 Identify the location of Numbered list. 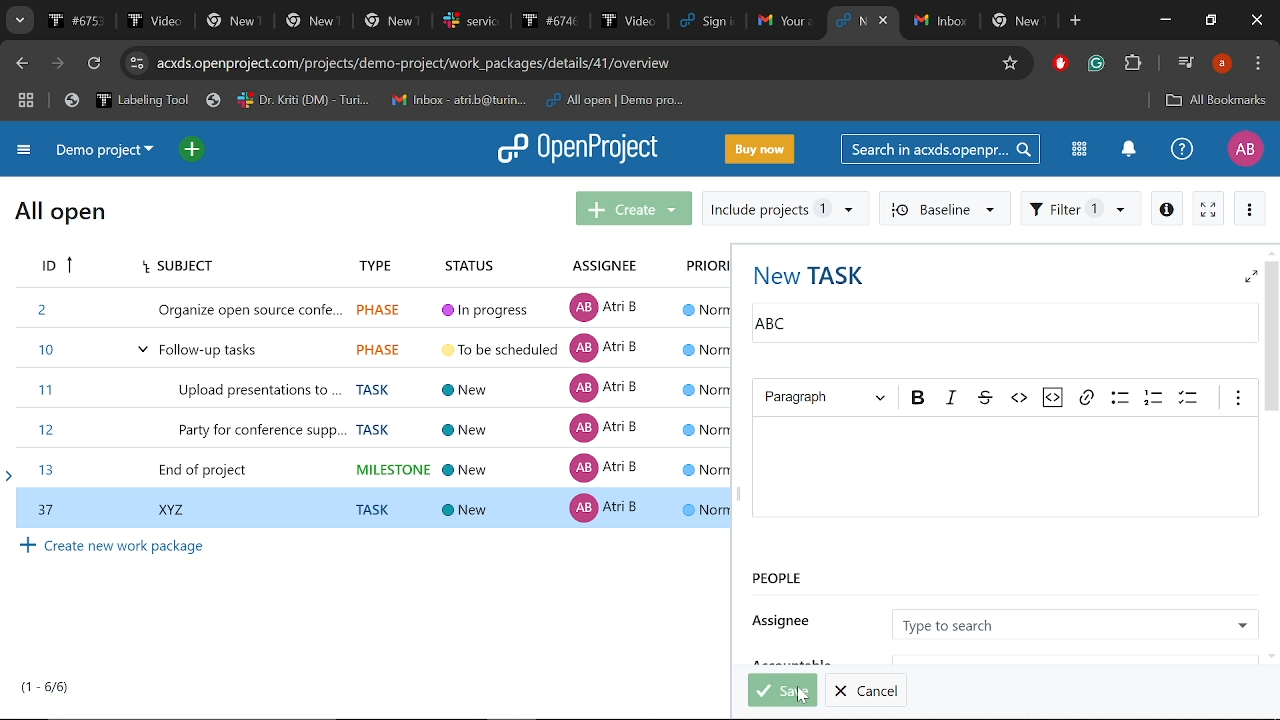
(1154, 397).